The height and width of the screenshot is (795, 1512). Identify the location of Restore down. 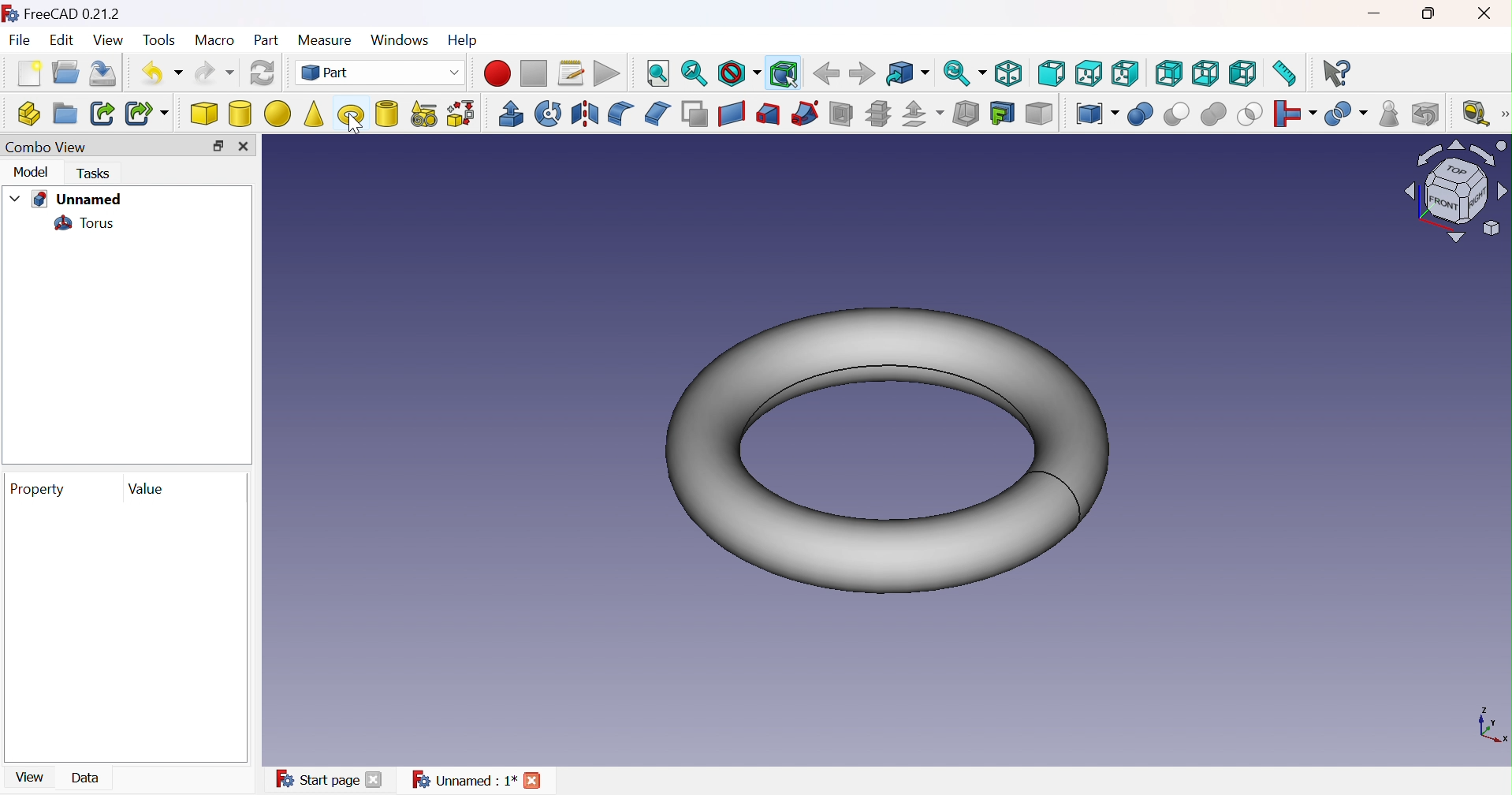
(217, 147).